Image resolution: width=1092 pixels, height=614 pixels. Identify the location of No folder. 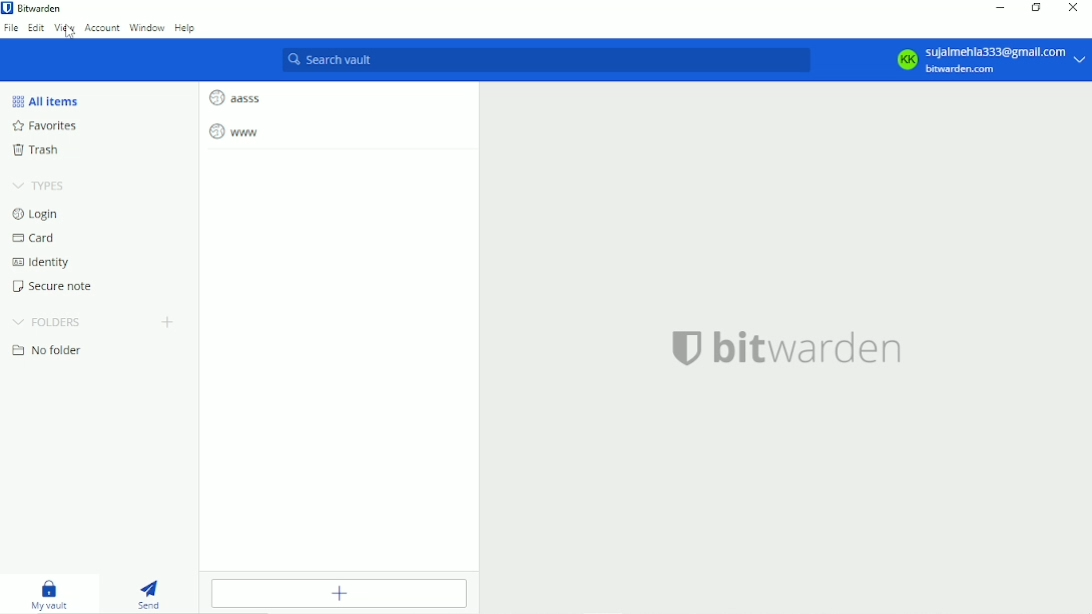
(48, 350).